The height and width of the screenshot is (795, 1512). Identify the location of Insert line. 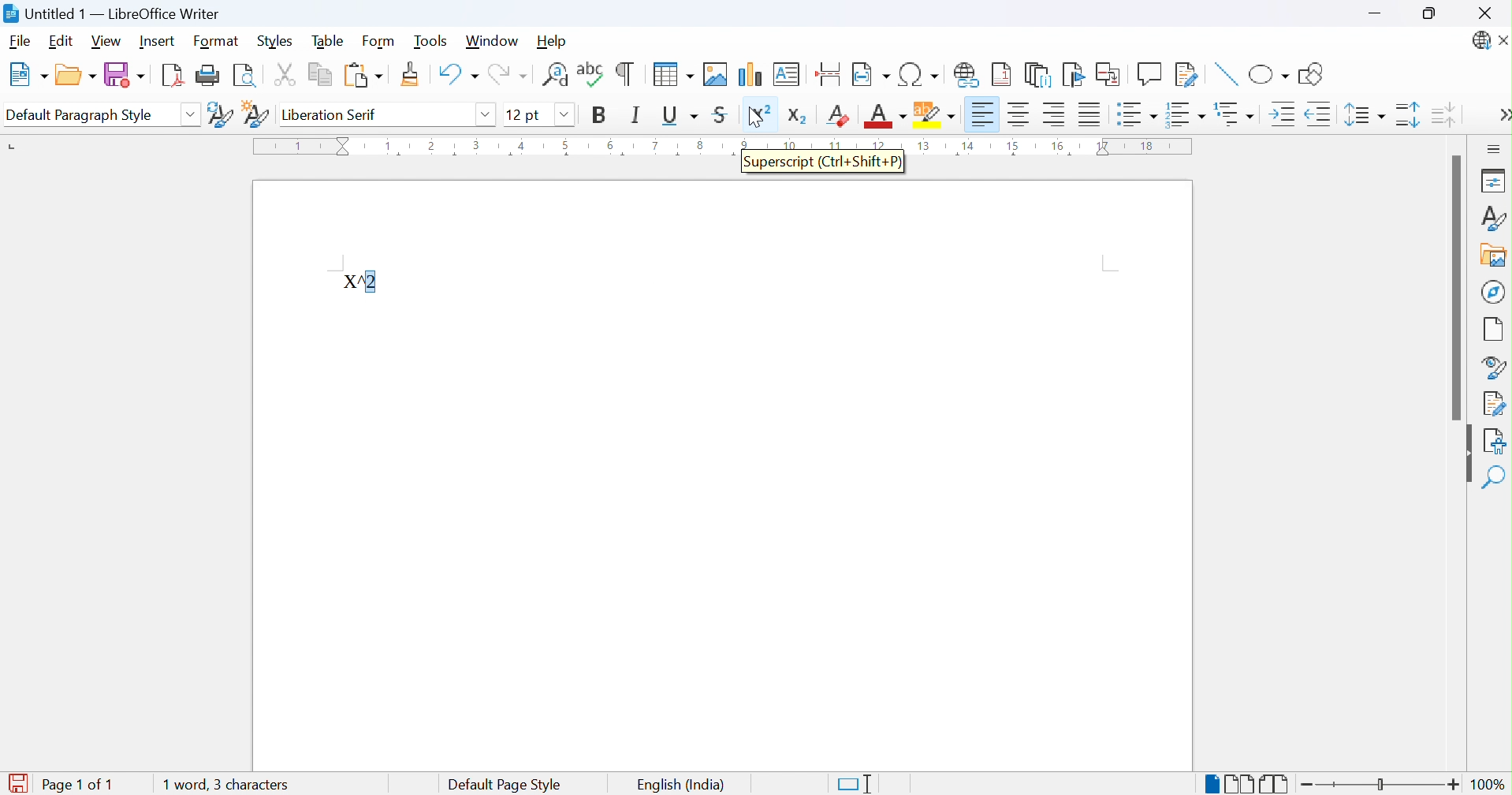
(1227, 77).